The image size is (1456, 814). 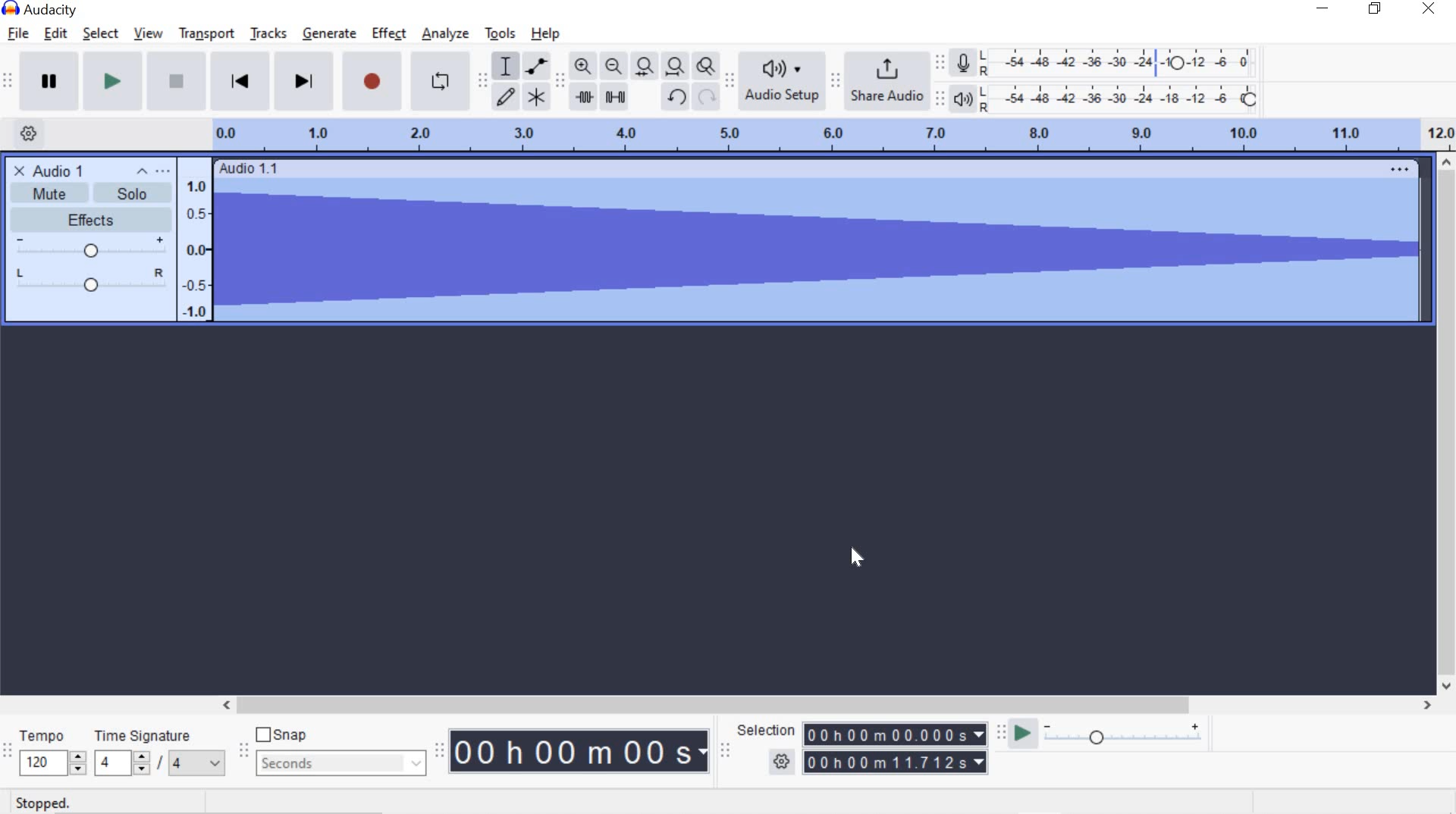 I want to click on Fit selection to width, so click(x=642, y=68).